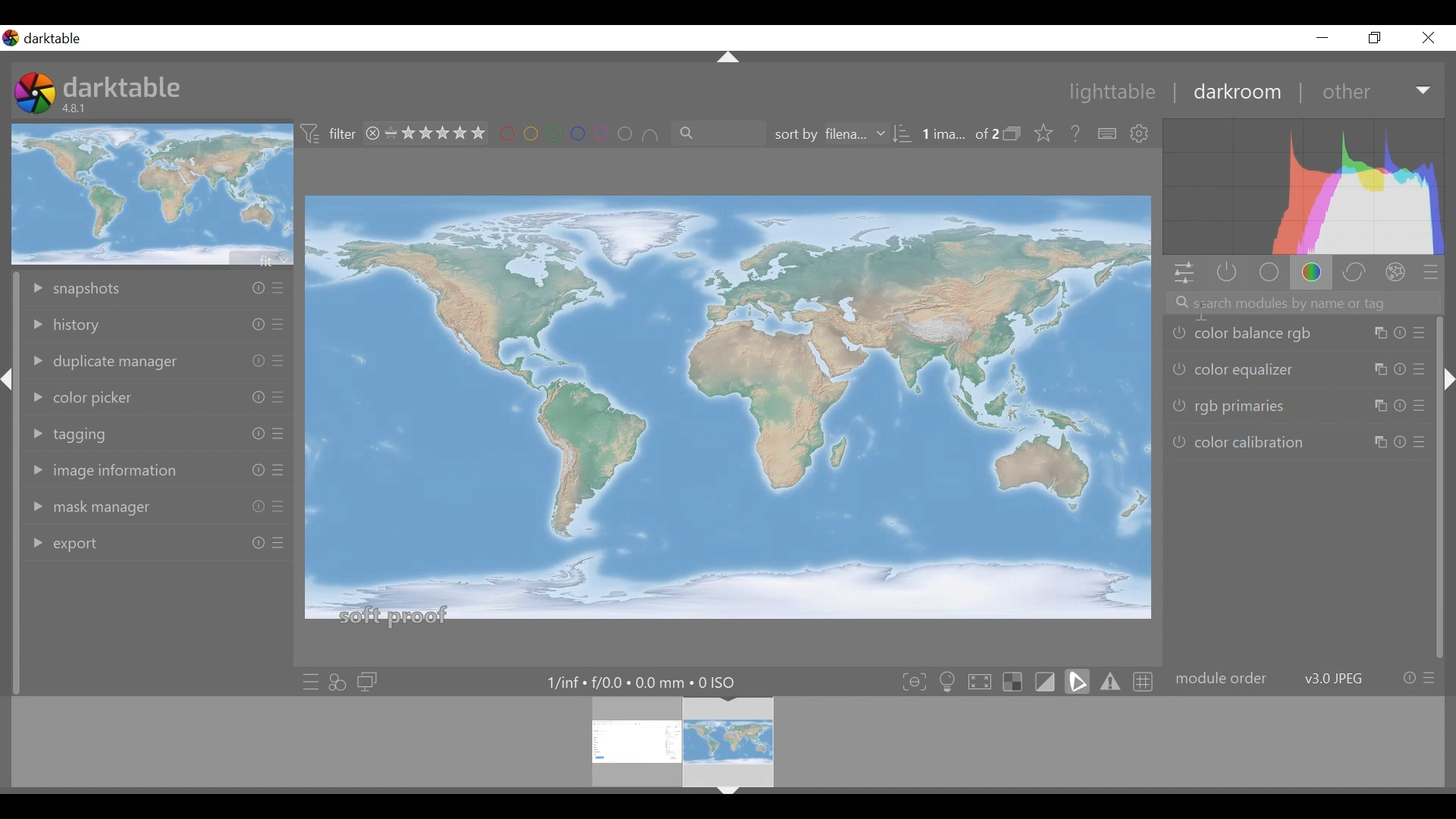 This screenshot has width=1456, height=819. I want to click on image selected out of, so click(959, 135).